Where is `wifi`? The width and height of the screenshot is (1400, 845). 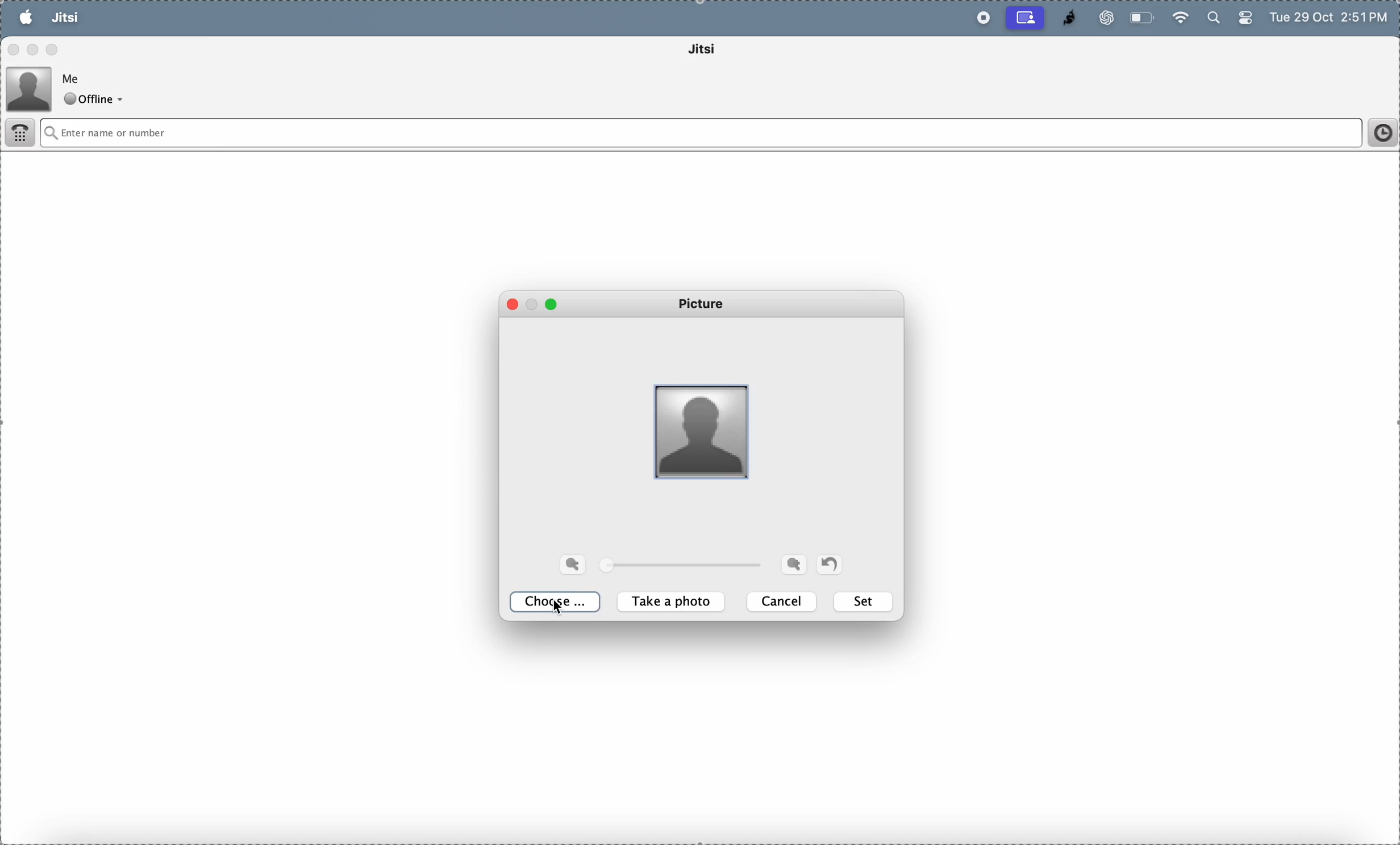 wifi is located at coordinates (1180, 16).